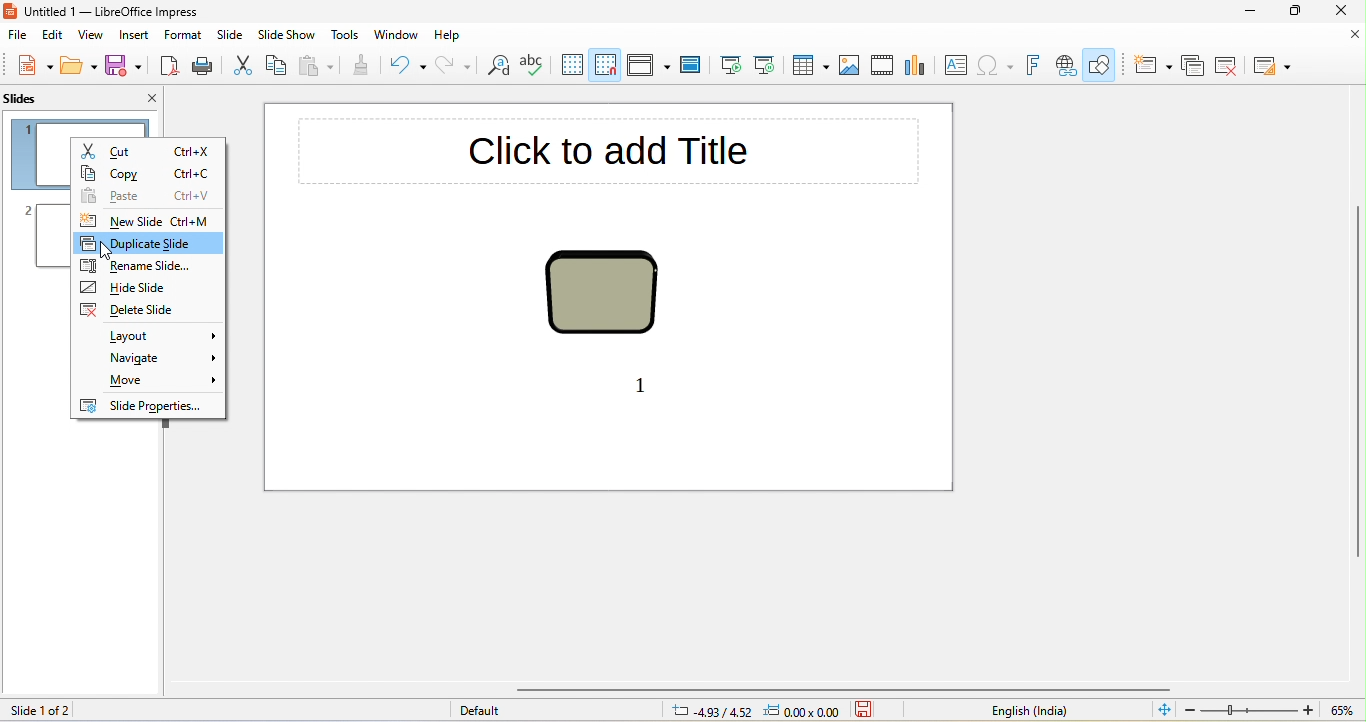  I want to click on spelling, so click(532, 68).